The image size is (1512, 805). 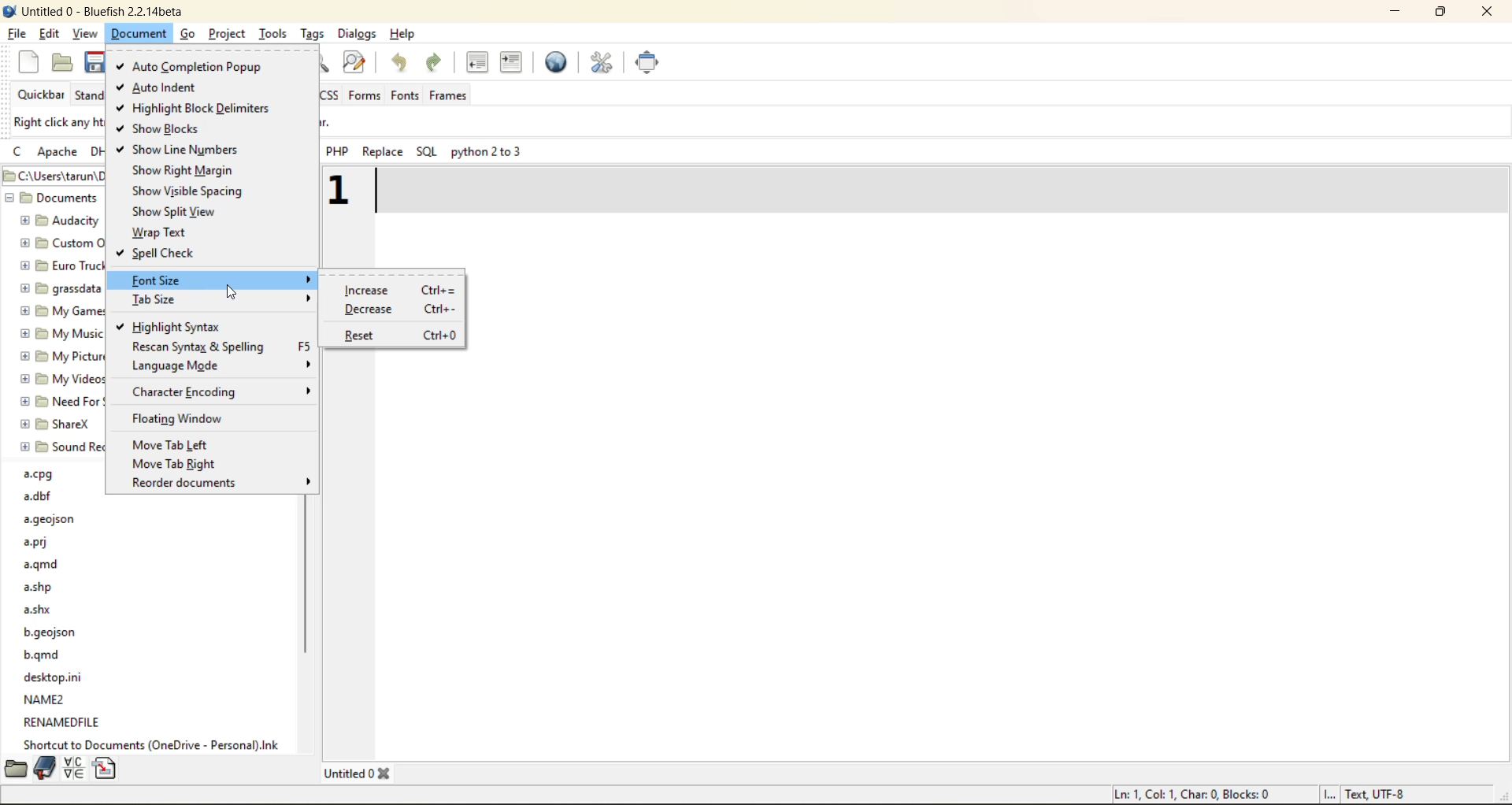 I want to click on a.cpg, so click(x=39, y=476).